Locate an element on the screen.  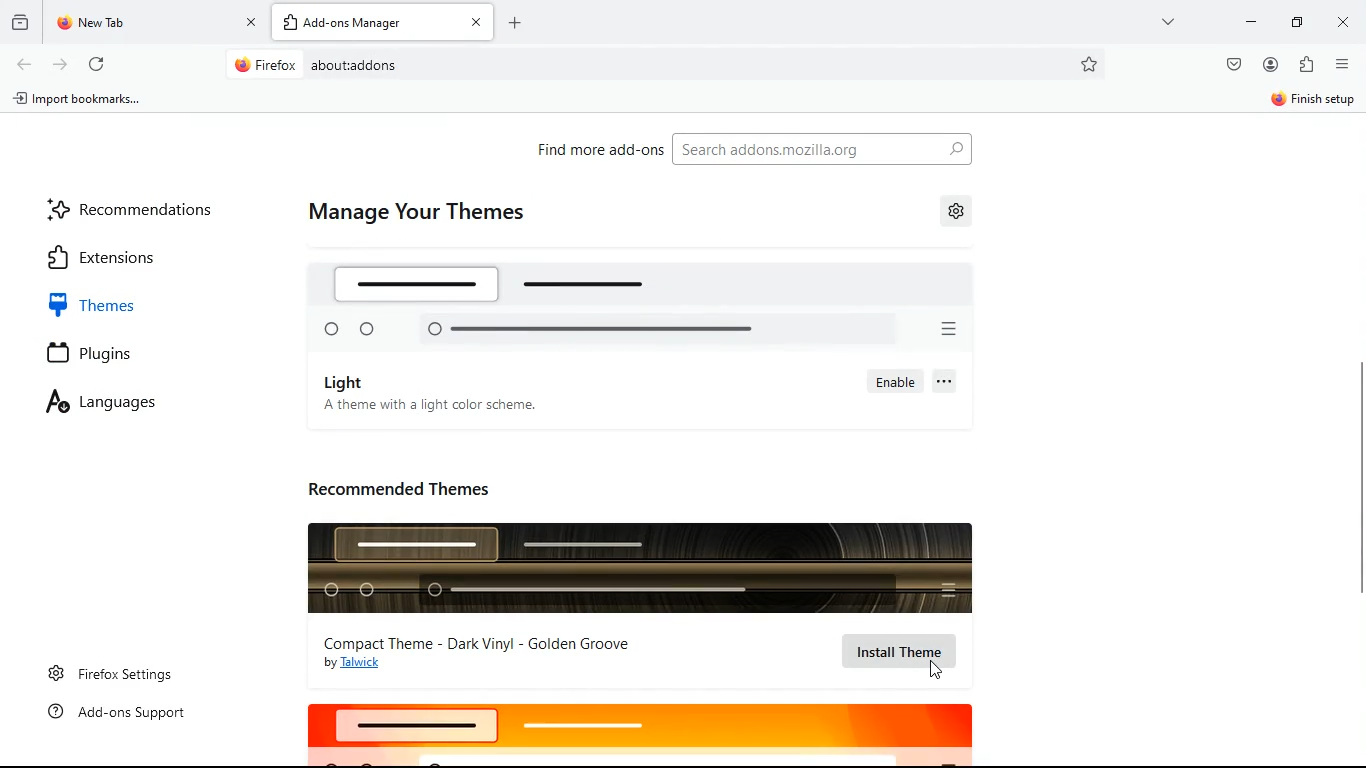
favorites is located at coordinates (1090, 64).